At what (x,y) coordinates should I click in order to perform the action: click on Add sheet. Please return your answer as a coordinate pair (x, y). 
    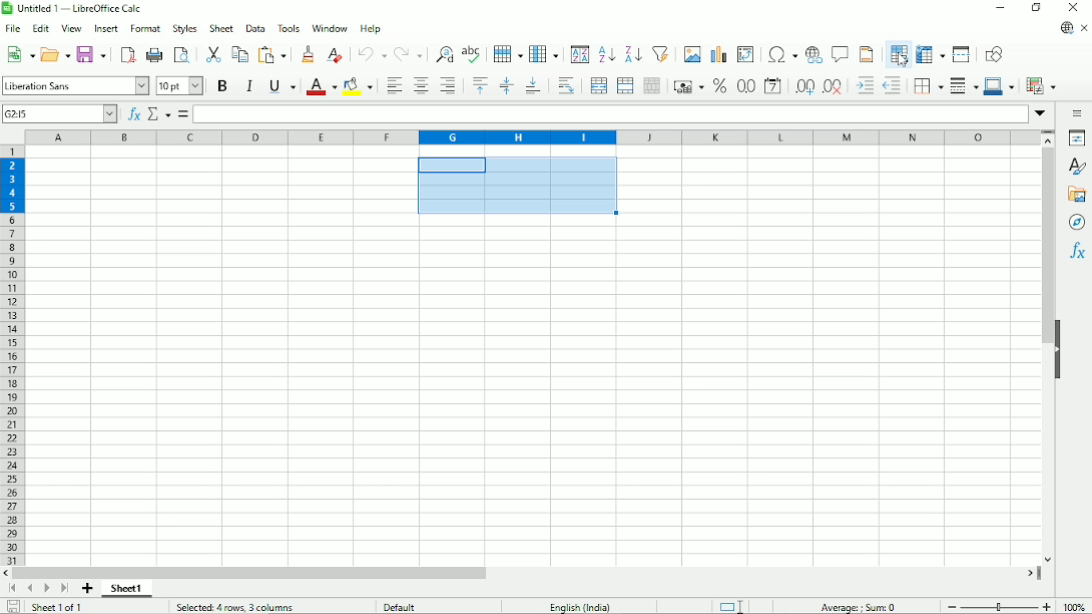
    Looking at the image, I should click on (88, 589).